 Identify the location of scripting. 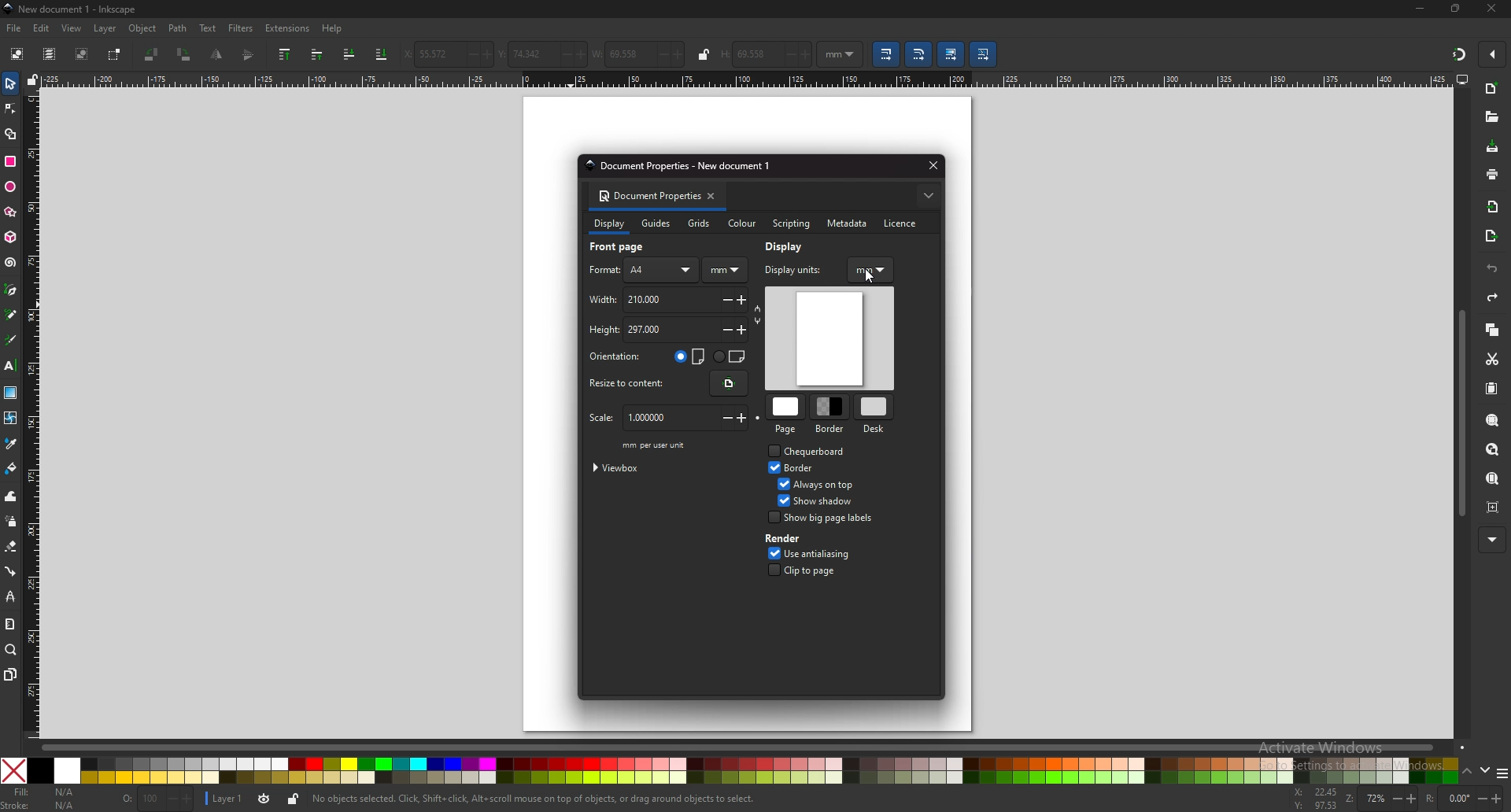
(789, 223).